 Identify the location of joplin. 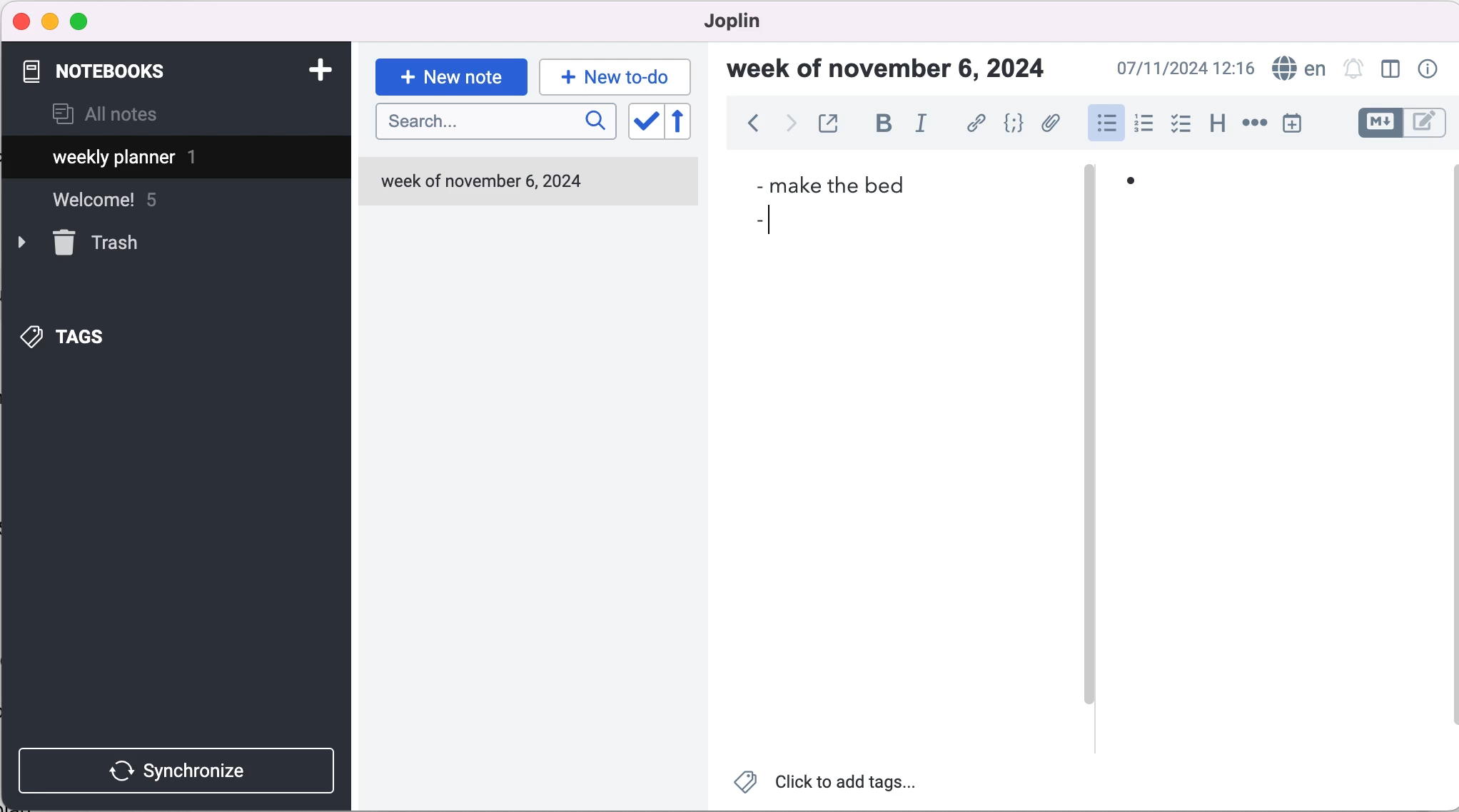
(754, 21).